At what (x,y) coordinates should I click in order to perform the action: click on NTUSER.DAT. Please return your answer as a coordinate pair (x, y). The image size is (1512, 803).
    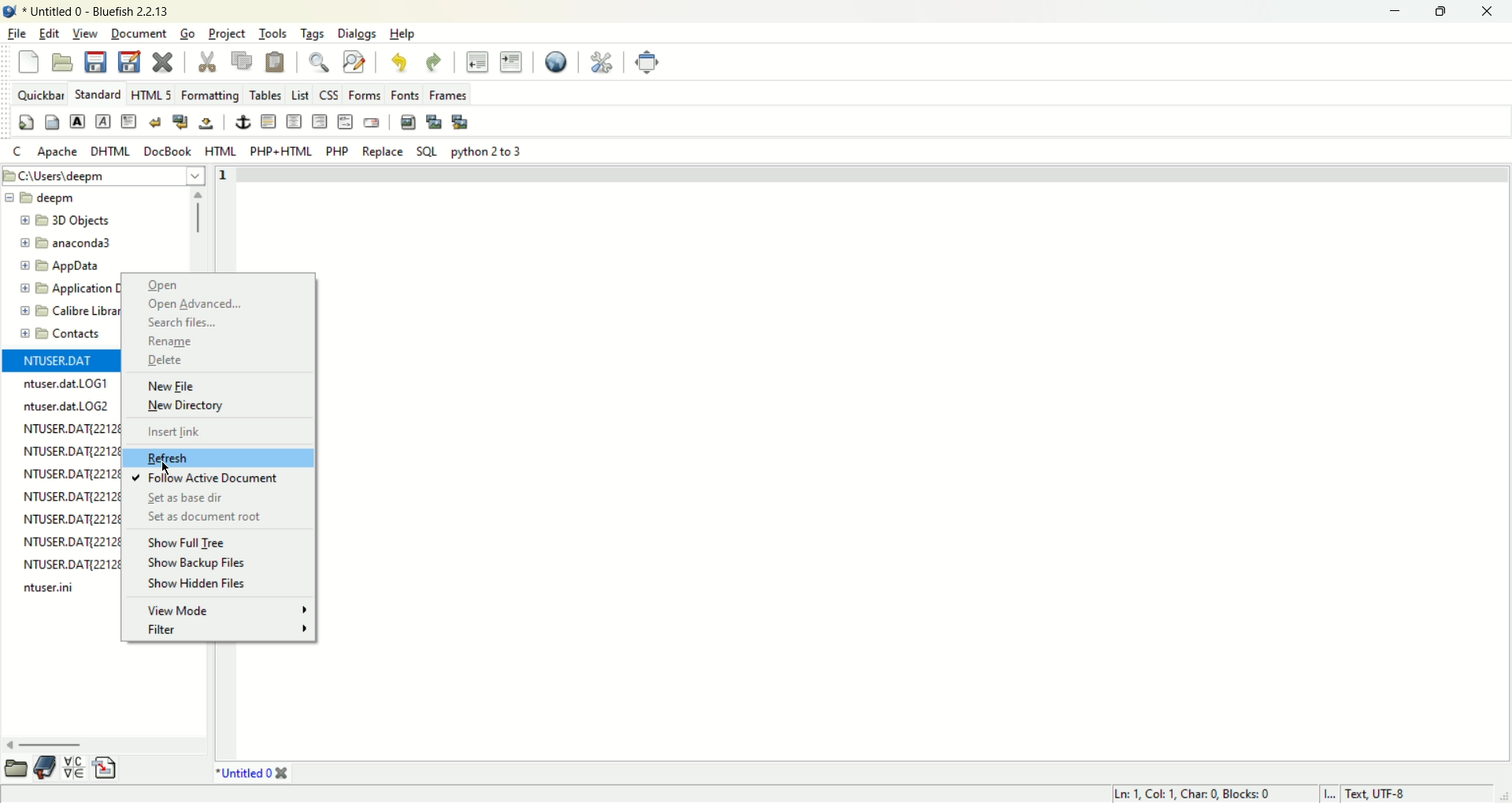
    Looking at the image, I should click on (59, 361).